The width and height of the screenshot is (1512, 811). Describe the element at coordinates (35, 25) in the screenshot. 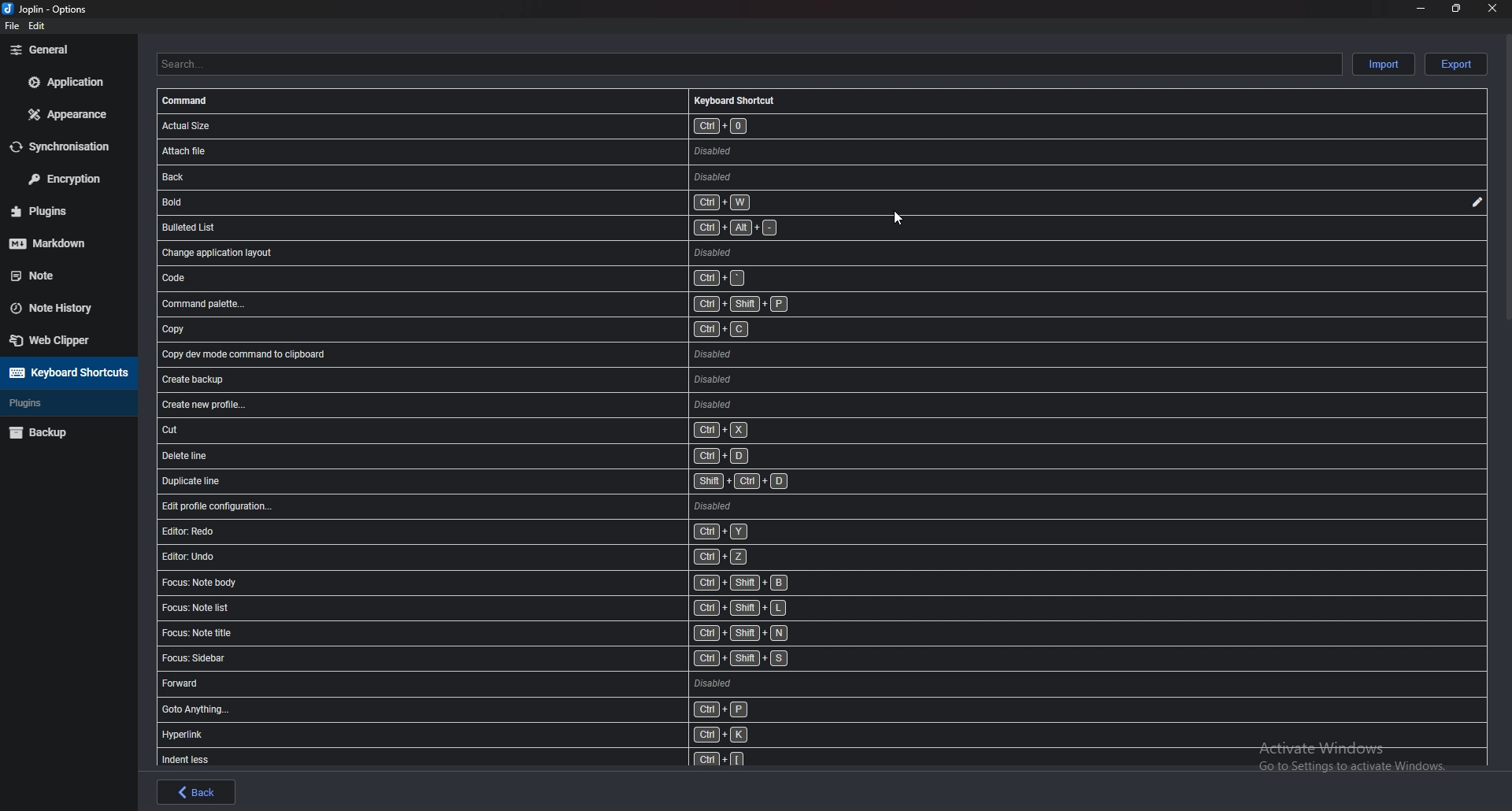

I see `edit` at that location.